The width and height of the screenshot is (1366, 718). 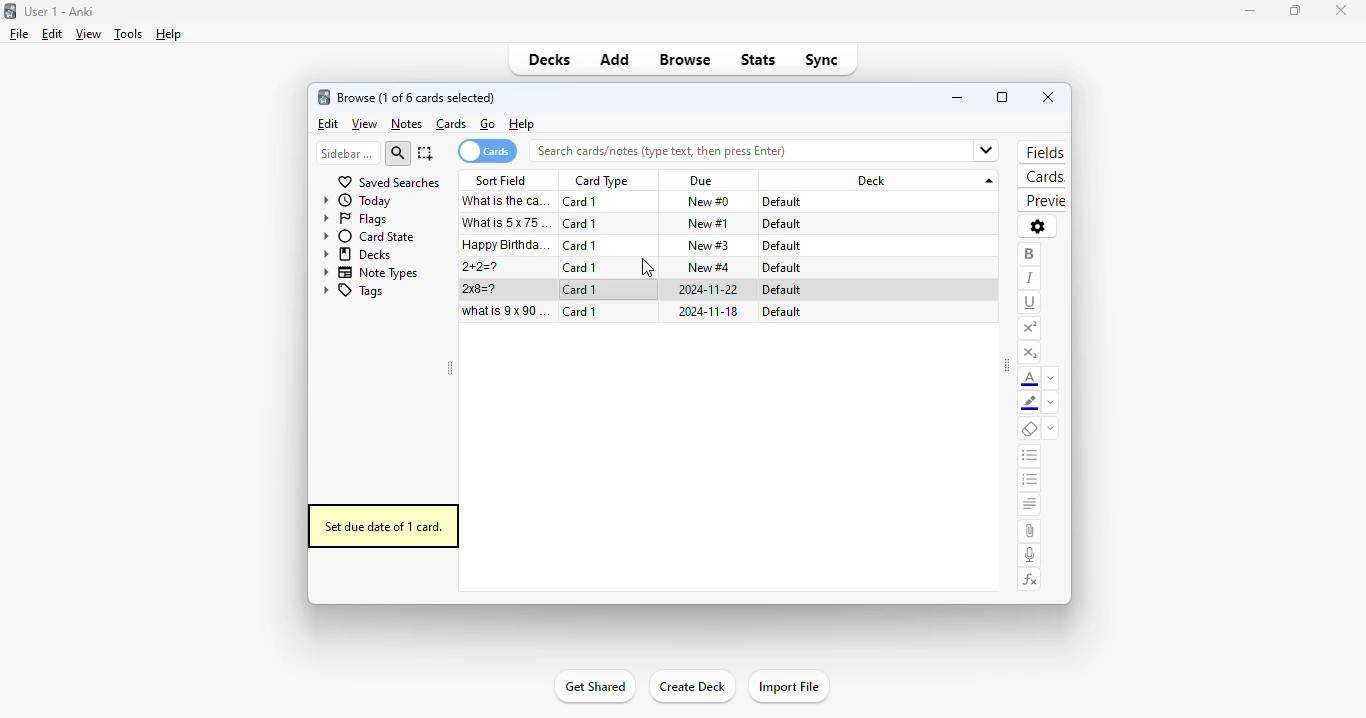 I want to click on italic, so click(x=1029, y=278).